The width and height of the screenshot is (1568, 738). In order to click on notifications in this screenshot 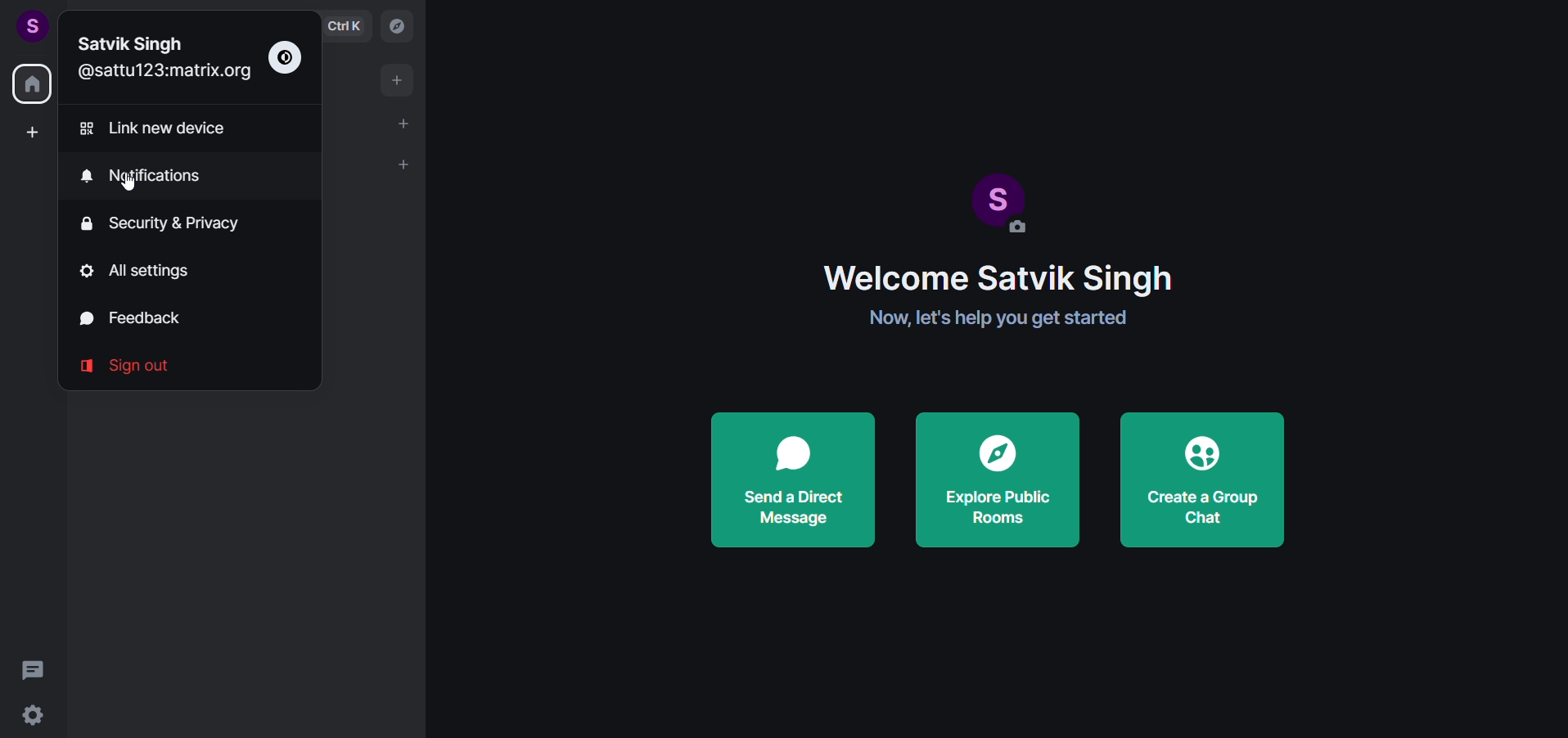, I will do `click(137, 179)`.